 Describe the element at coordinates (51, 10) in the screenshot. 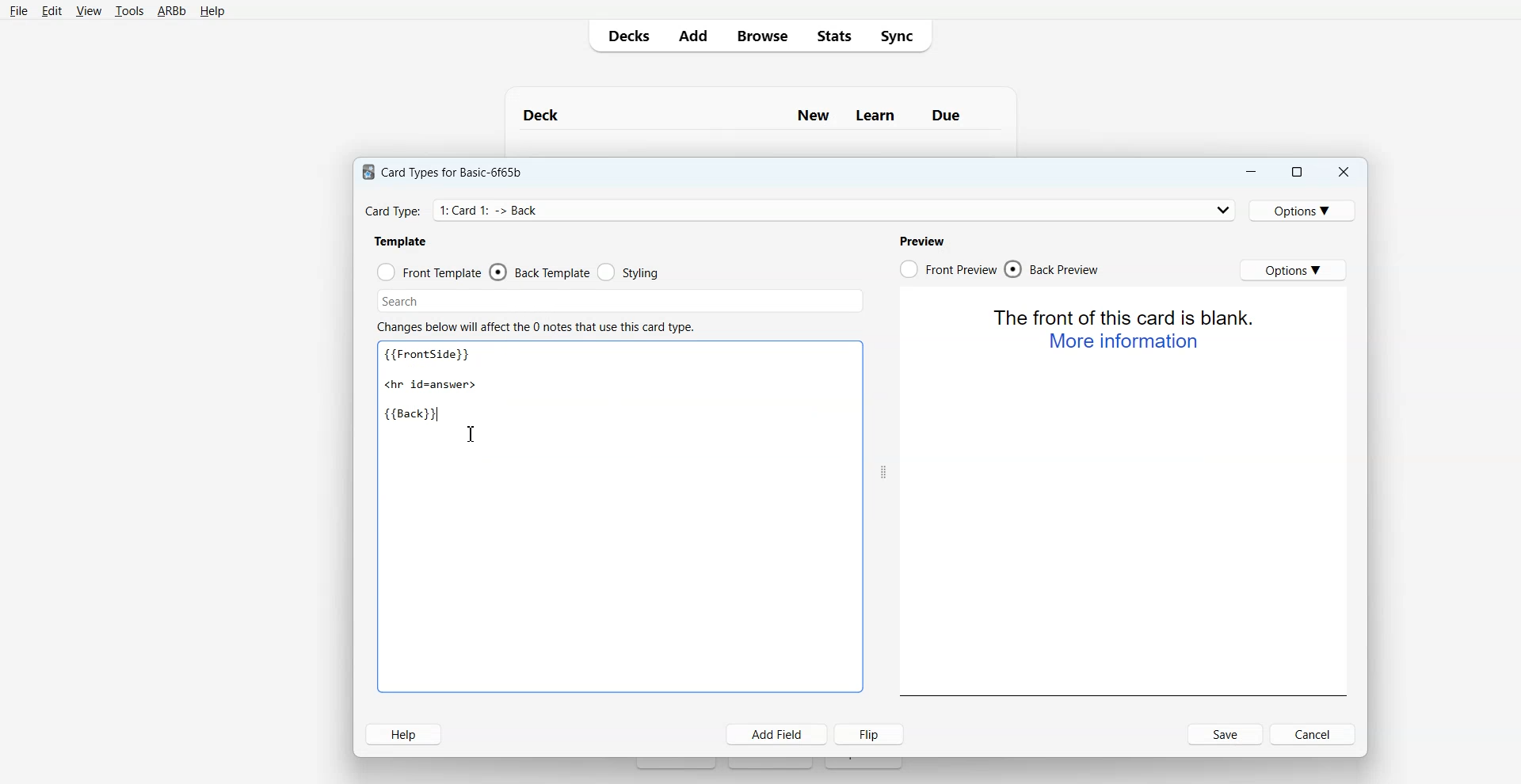

I see `Edit` at that location.